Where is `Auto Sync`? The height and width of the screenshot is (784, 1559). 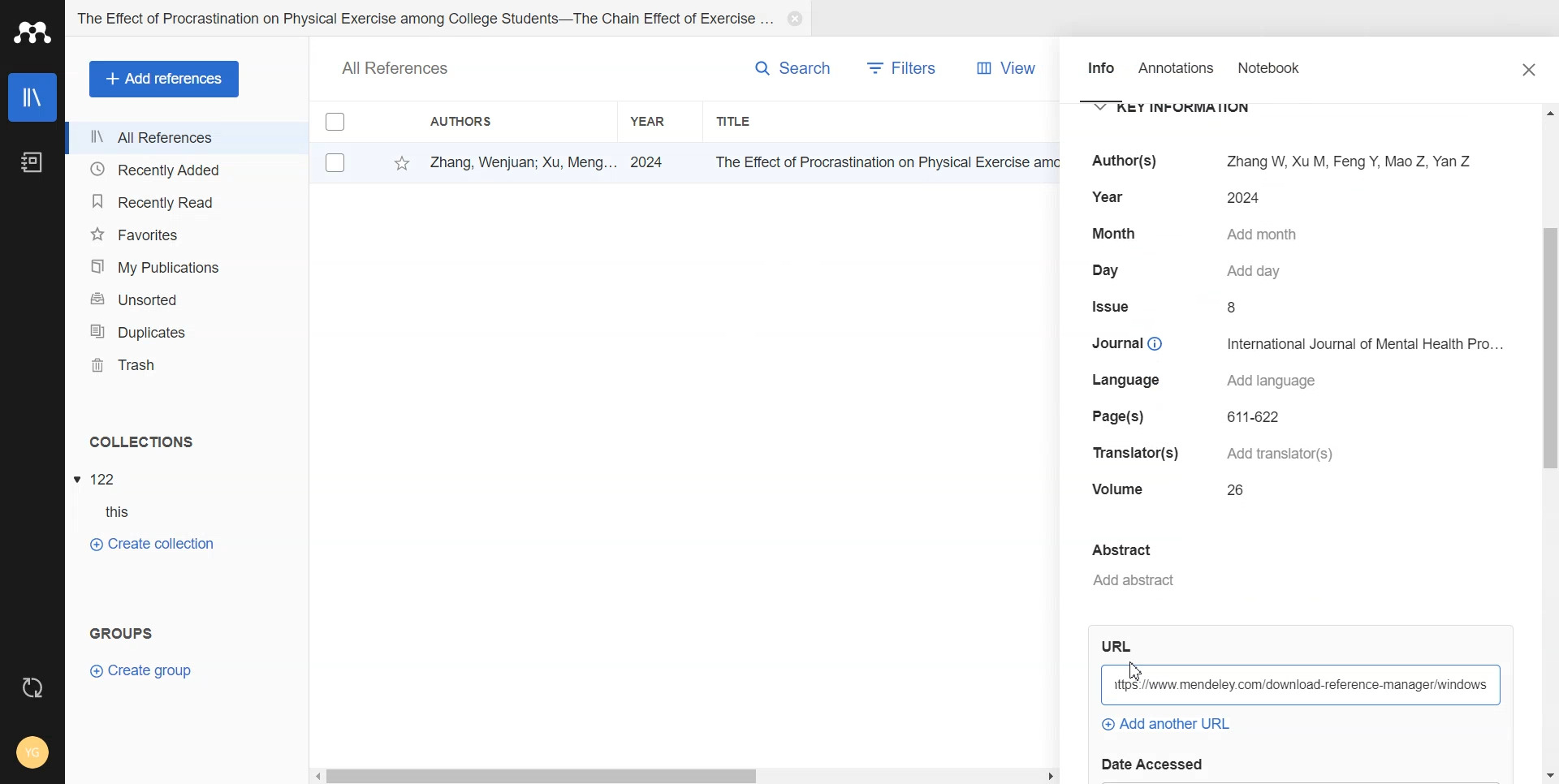 Auto Sync is located at coordinates (32, 683).